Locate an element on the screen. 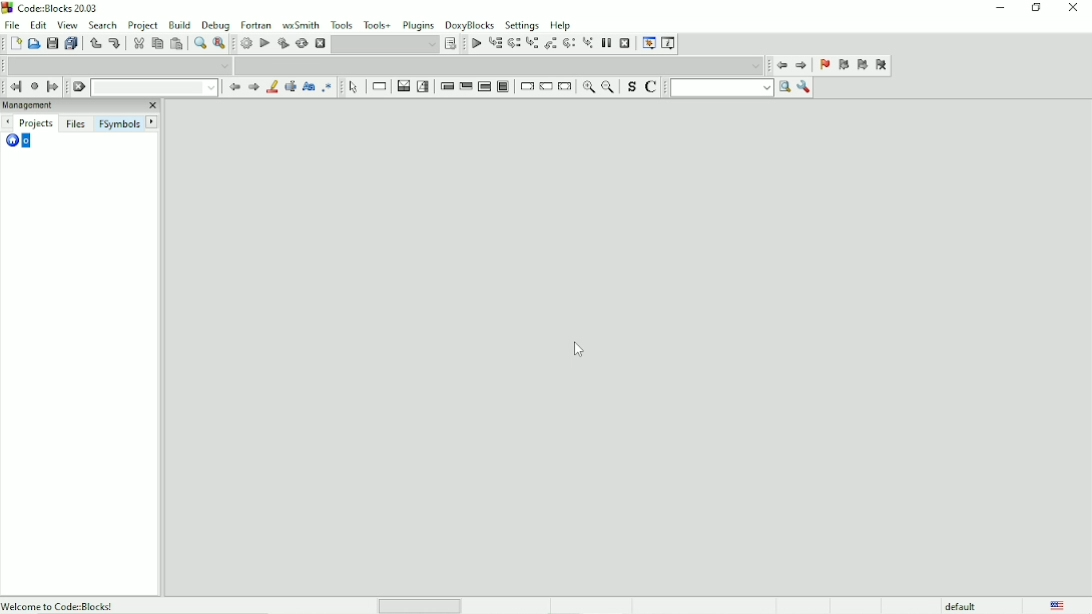  Debug is located at coordinates (216, 24).